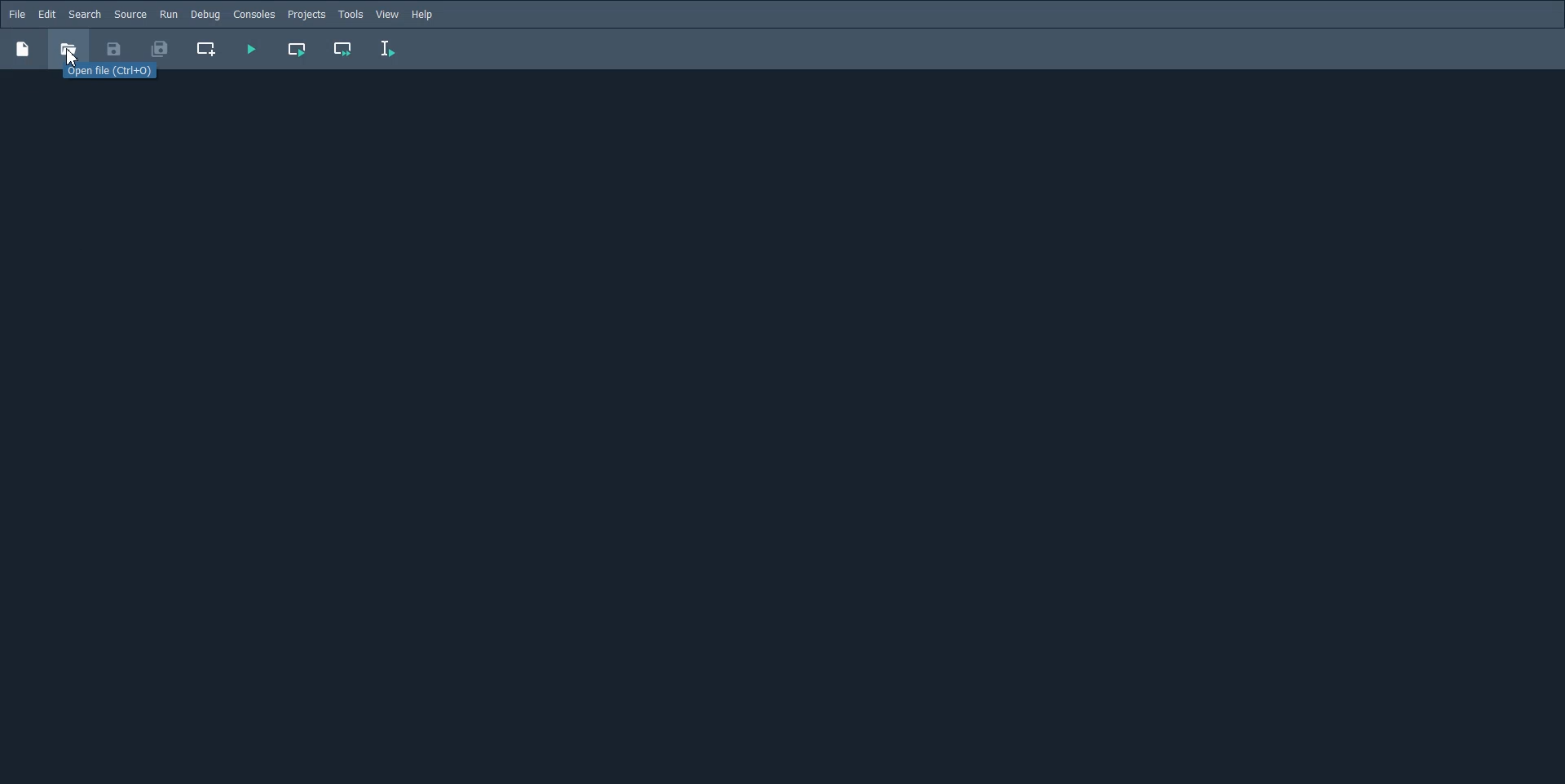 The width and height of the screenshot is (1565, 784). What do you see at coordinates (68, 49) in the screenshot?
I see `` at bounding box center [68, 49].